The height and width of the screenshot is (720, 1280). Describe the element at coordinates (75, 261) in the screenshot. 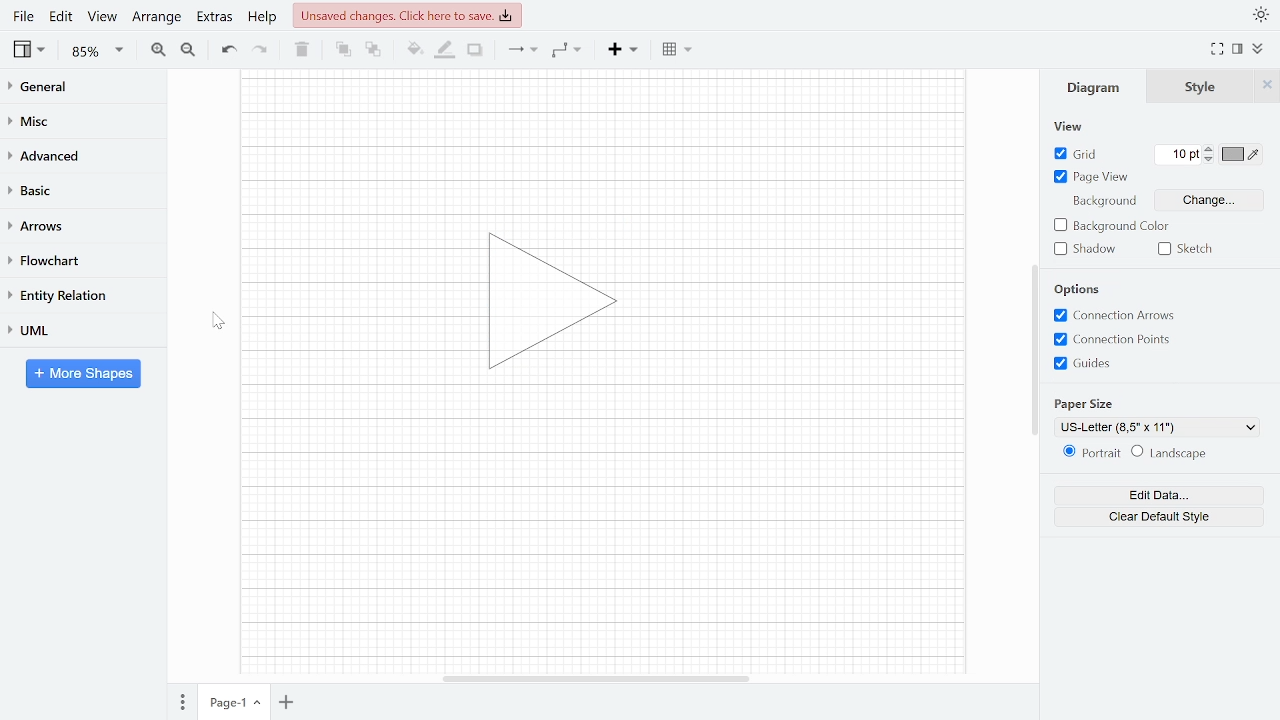

I see `Flowchart` at that location.